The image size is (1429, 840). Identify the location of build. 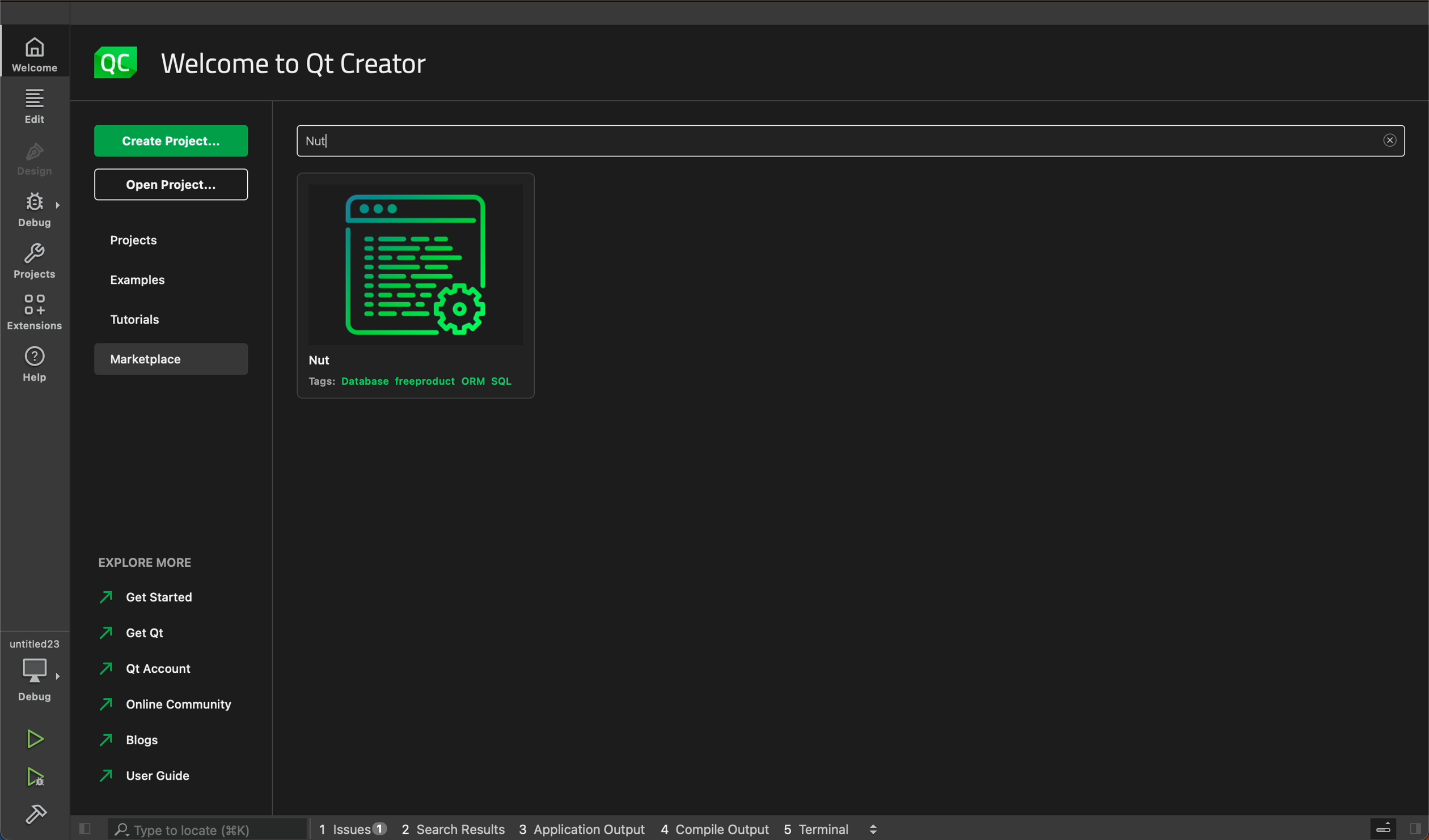
(39, 816).